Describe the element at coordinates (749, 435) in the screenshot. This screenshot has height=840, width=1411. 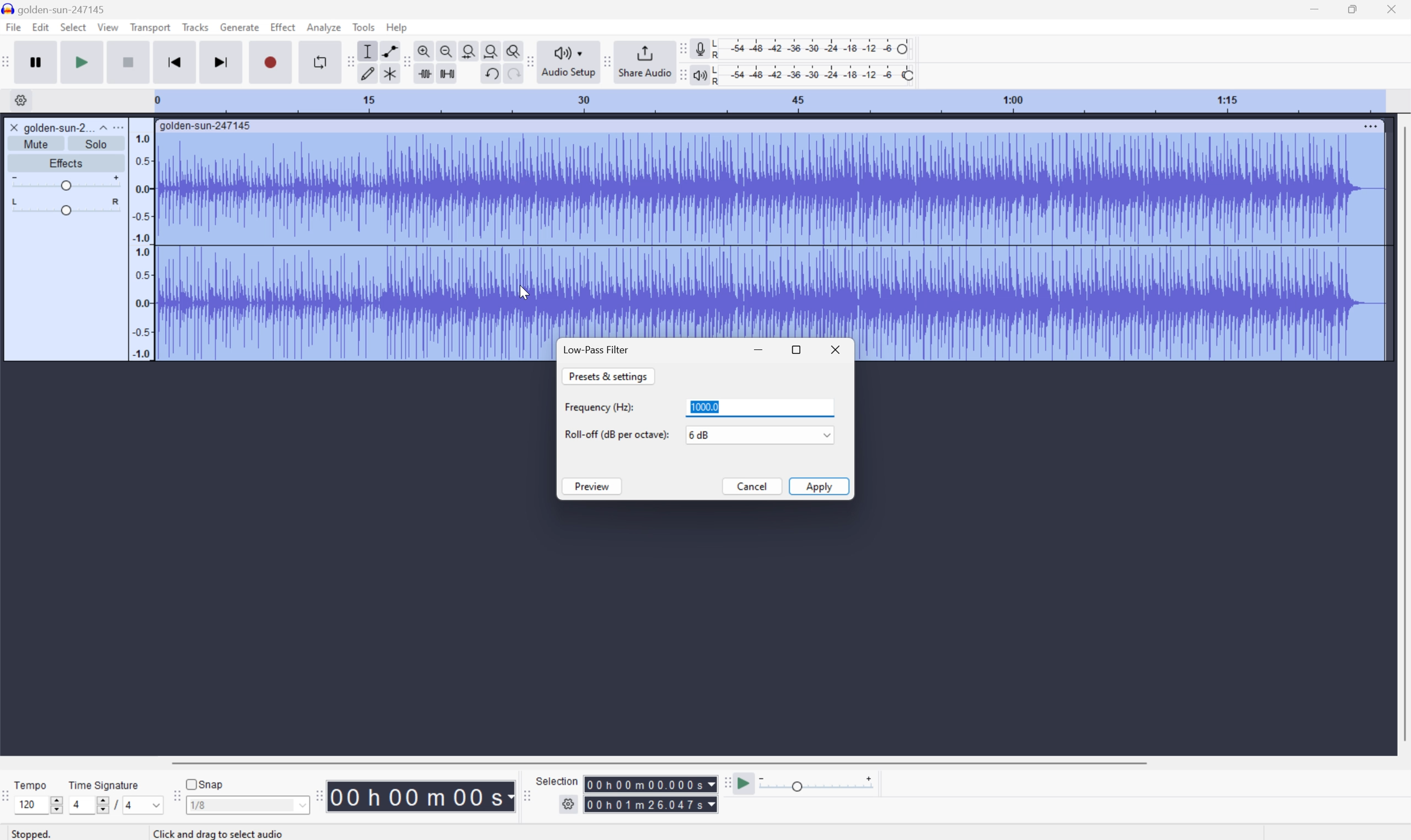
I see `6 dB` at that location.